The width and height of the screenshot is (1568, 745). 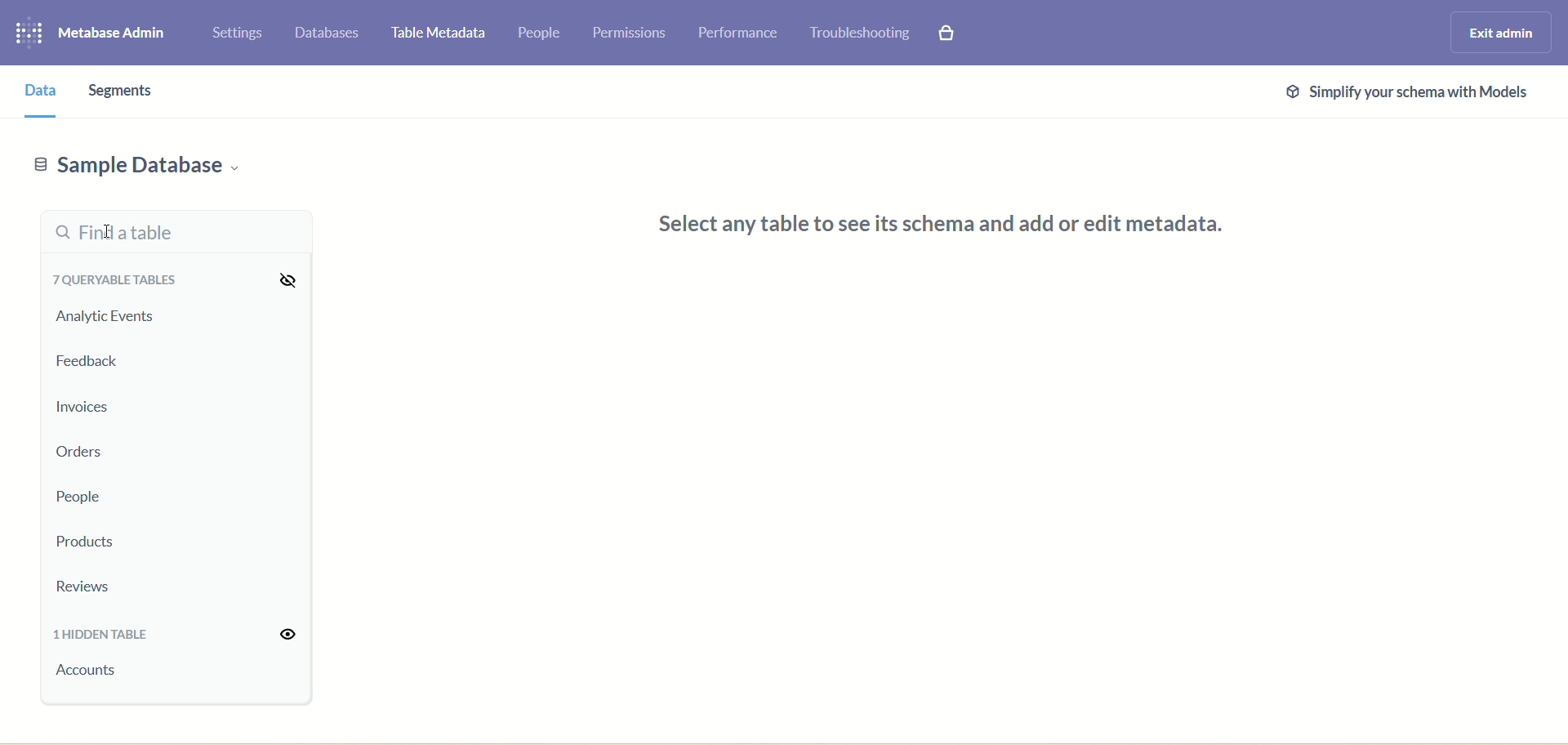 What do you see at coordinates (939, 225) in the screenshot?
I see `Select any table to see its schema and add or edit metadata.` at bounding box center [939, 225].